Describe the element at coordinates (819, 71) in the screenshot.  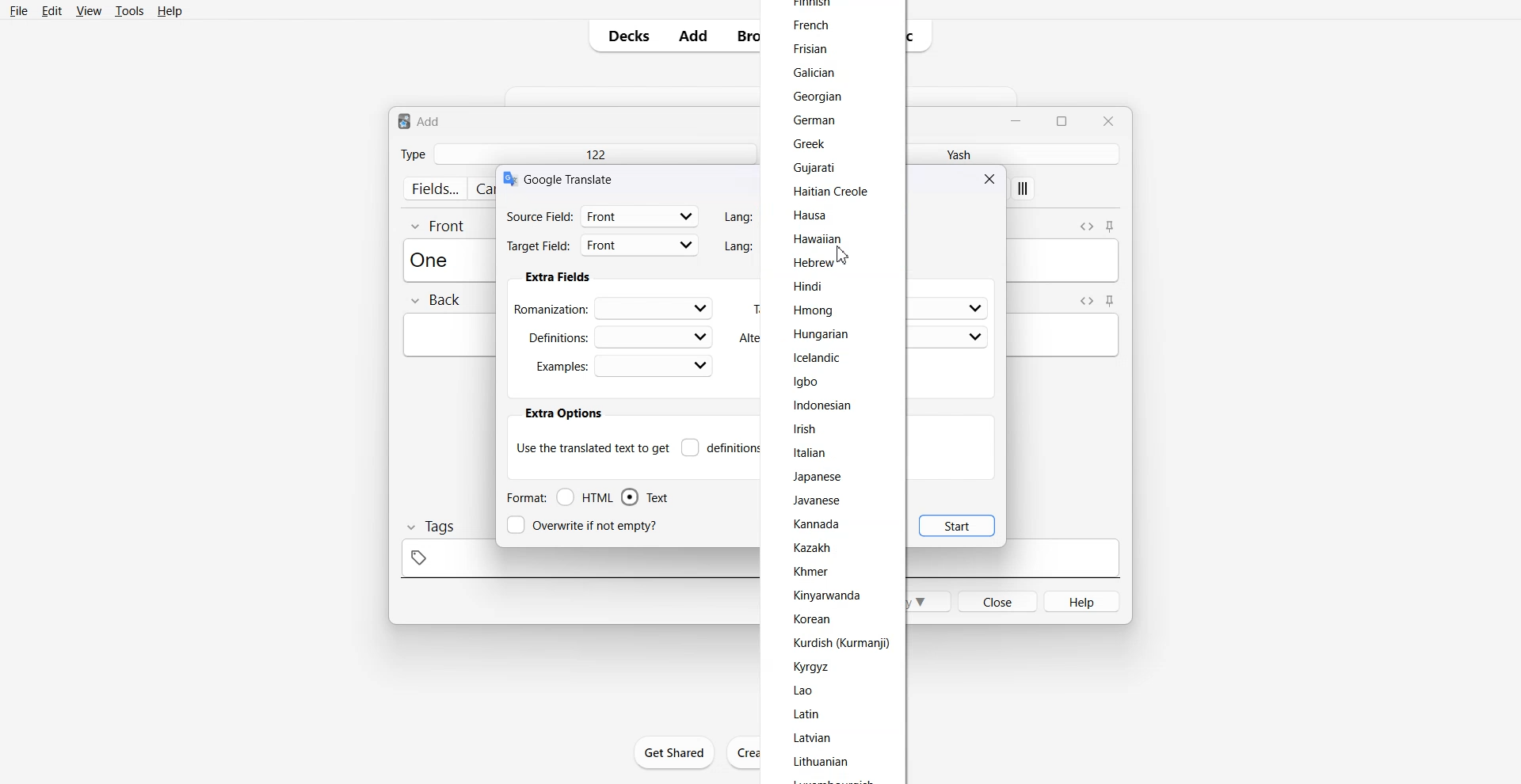
I see `Galician` at that location.